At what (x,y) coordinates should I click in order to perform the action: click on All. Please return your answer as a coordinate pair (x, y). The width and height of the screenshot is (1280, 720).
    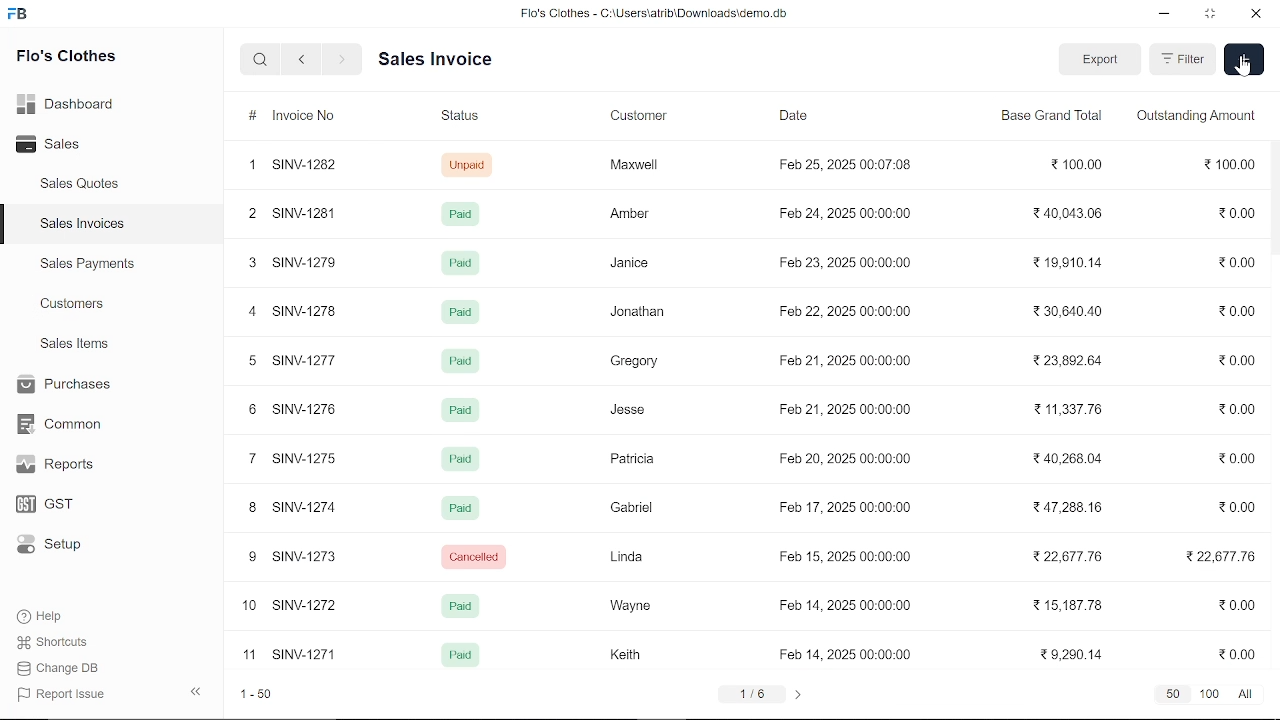
    Looking at the image, I should click on (1244, 695).